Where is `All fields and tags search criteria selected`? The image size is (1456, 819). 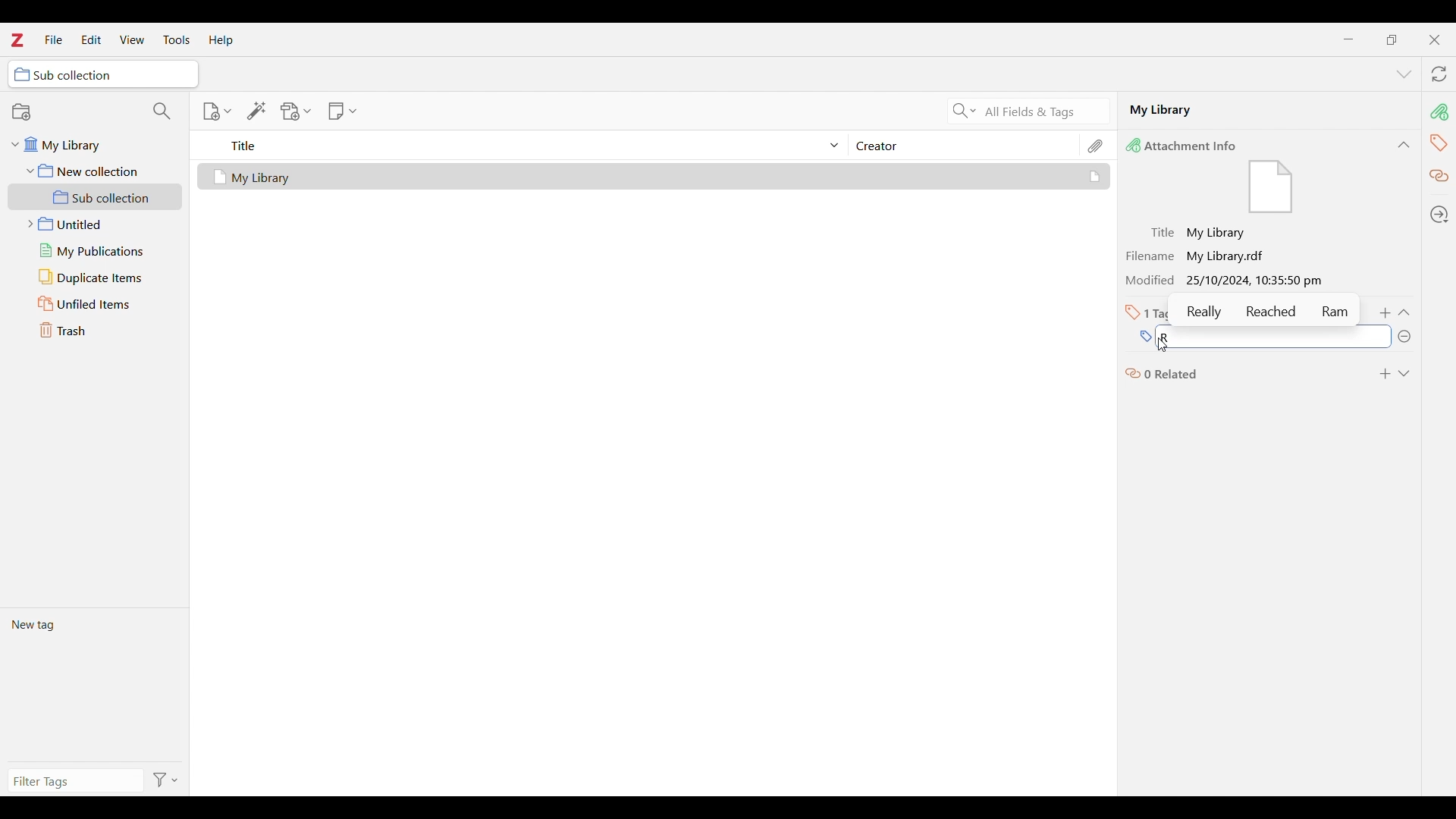
All fields and tags search criteria selected is located at coordinates (1043, 112).